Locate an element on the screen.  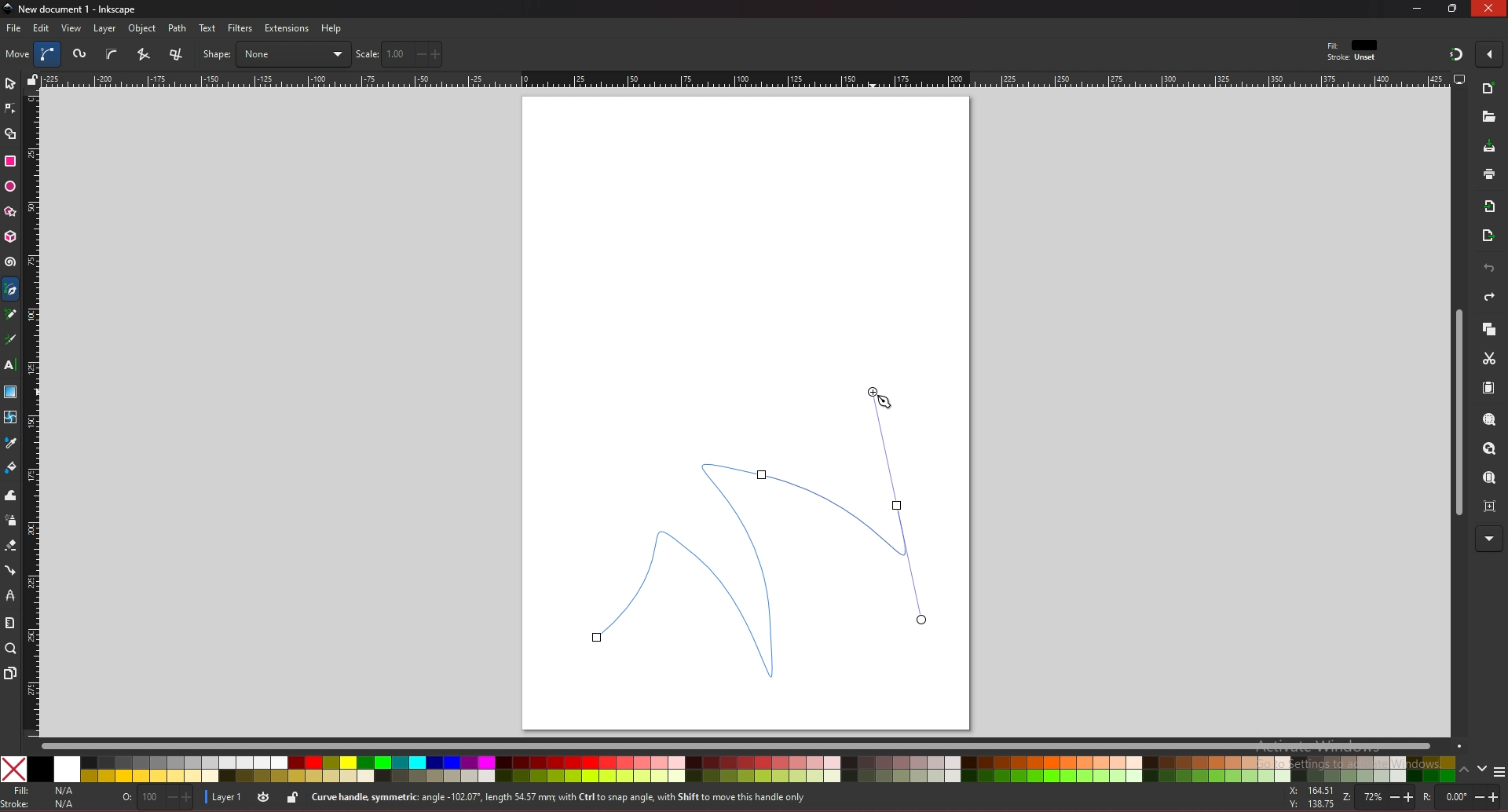
zoom page is located at coordinates (1488, 479).